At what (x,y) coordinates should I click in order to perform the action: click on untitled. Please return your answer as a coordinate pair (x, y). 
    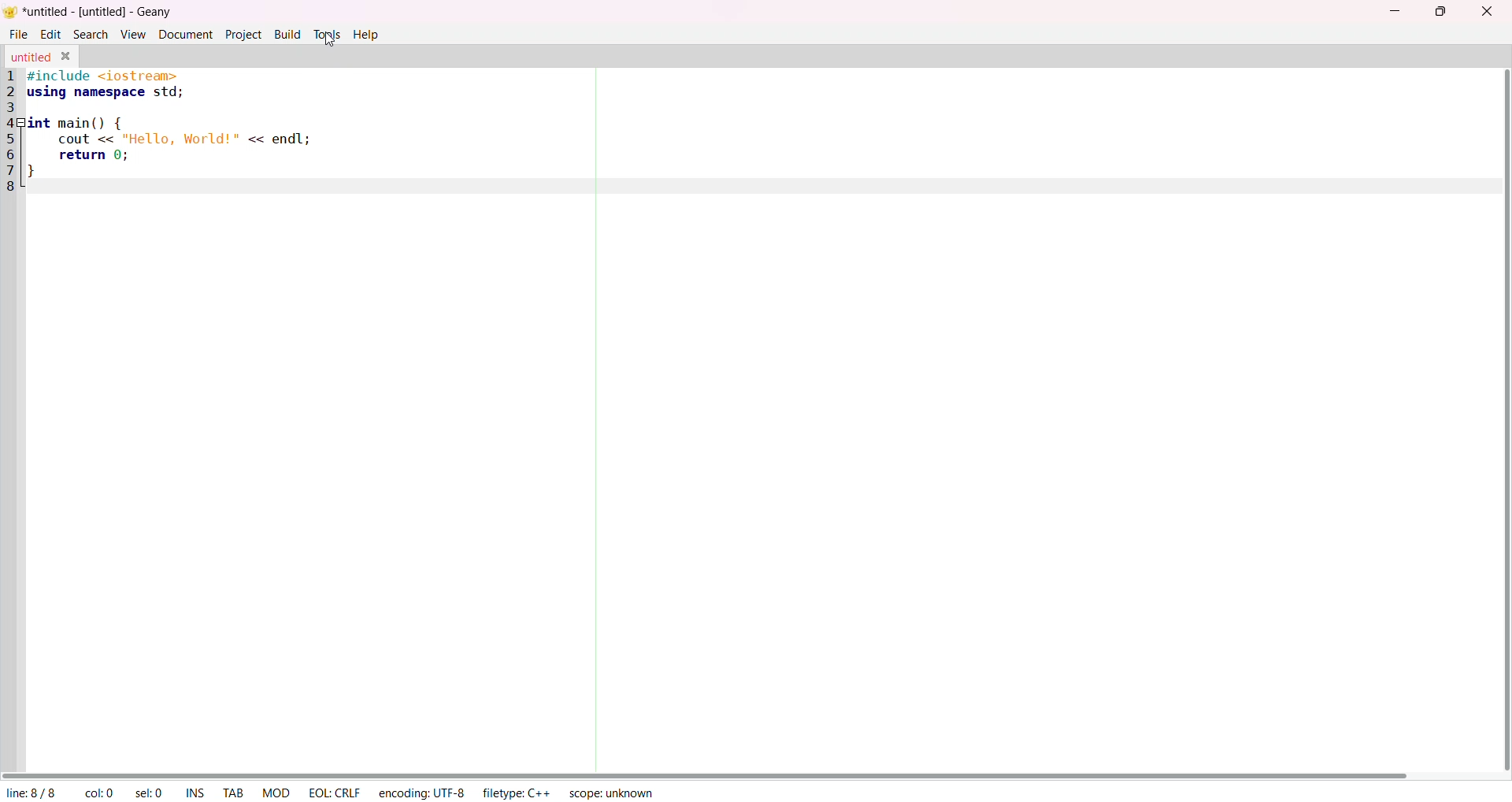
    Looking at the image, I should click on (31, 55).